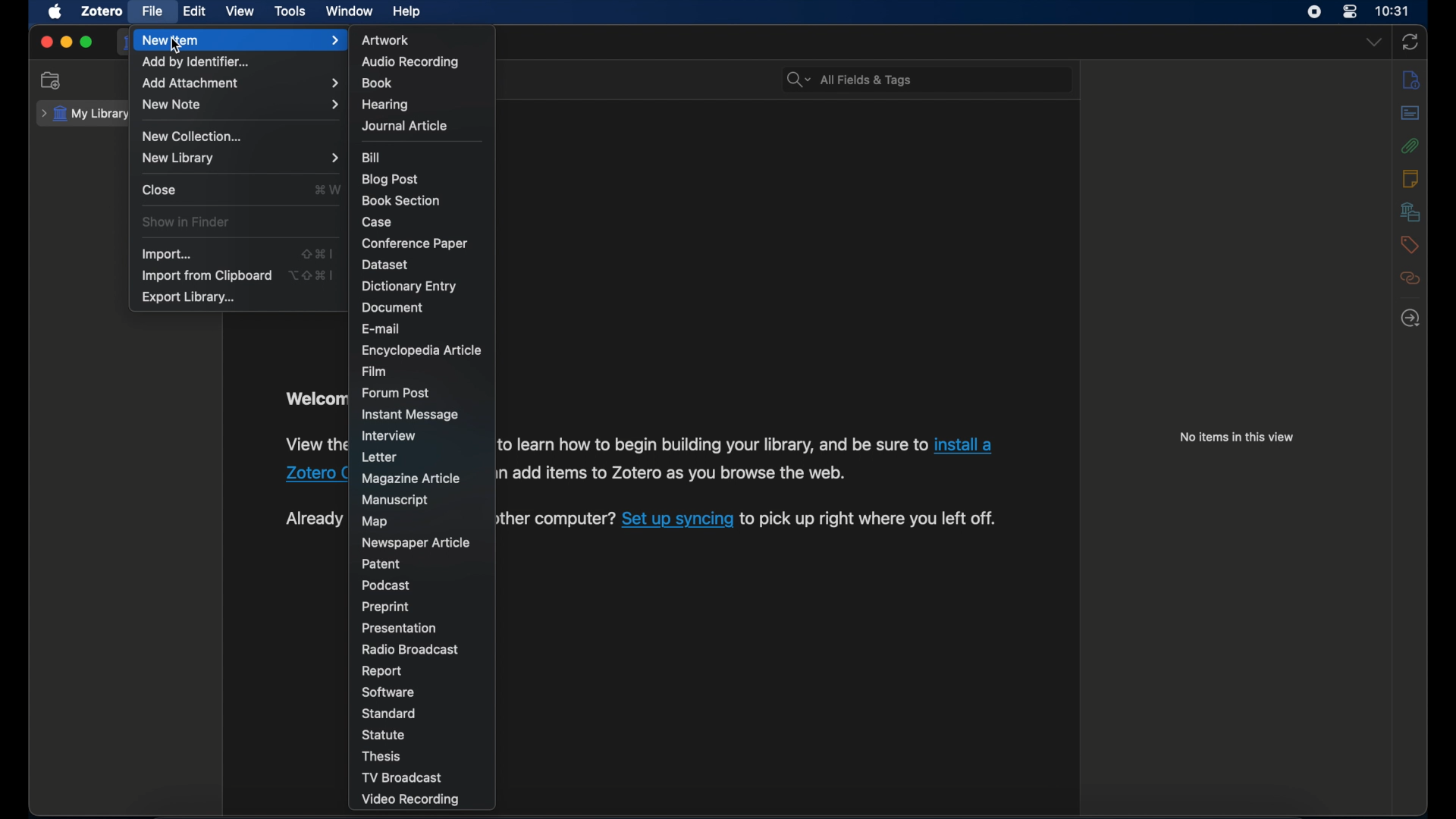 Image resolution: width=1456 pixels, height=819 pixels. I want to click on import, so click(167, 254).